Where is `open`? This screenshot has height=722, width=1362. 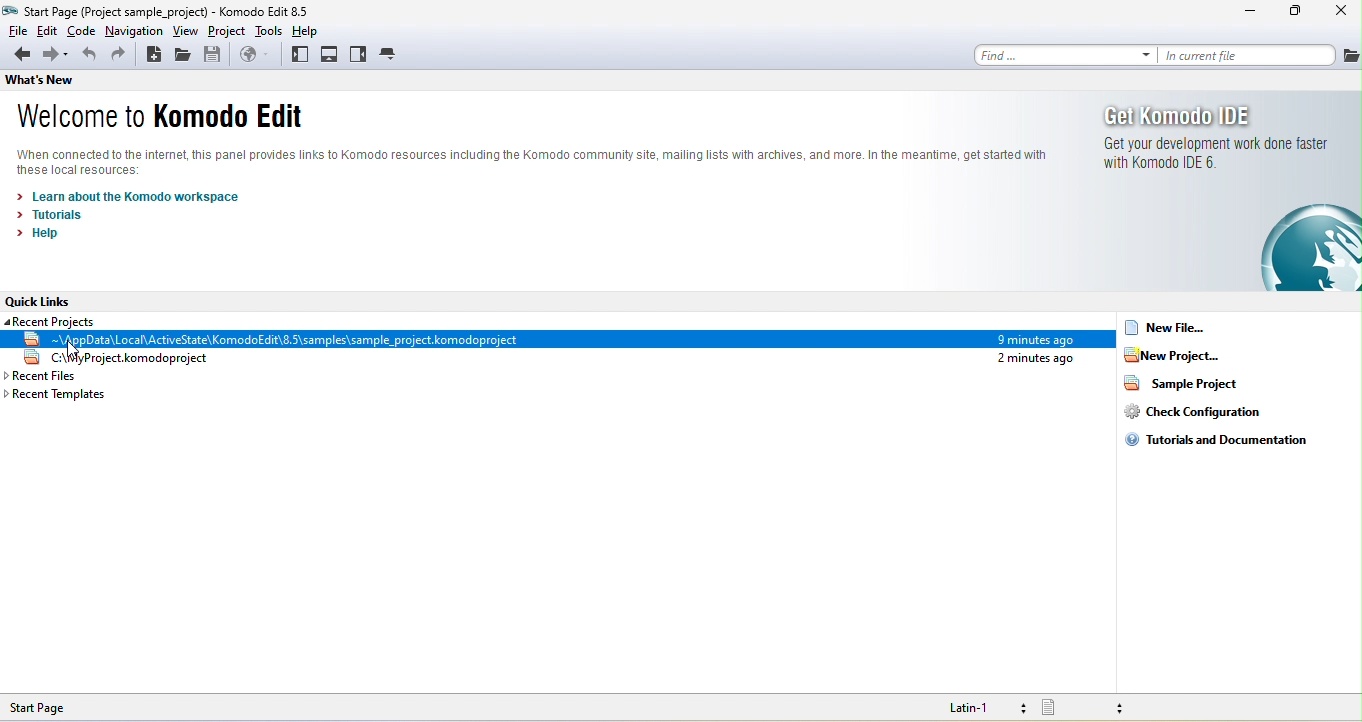
open is located at coordinates (183, 56).